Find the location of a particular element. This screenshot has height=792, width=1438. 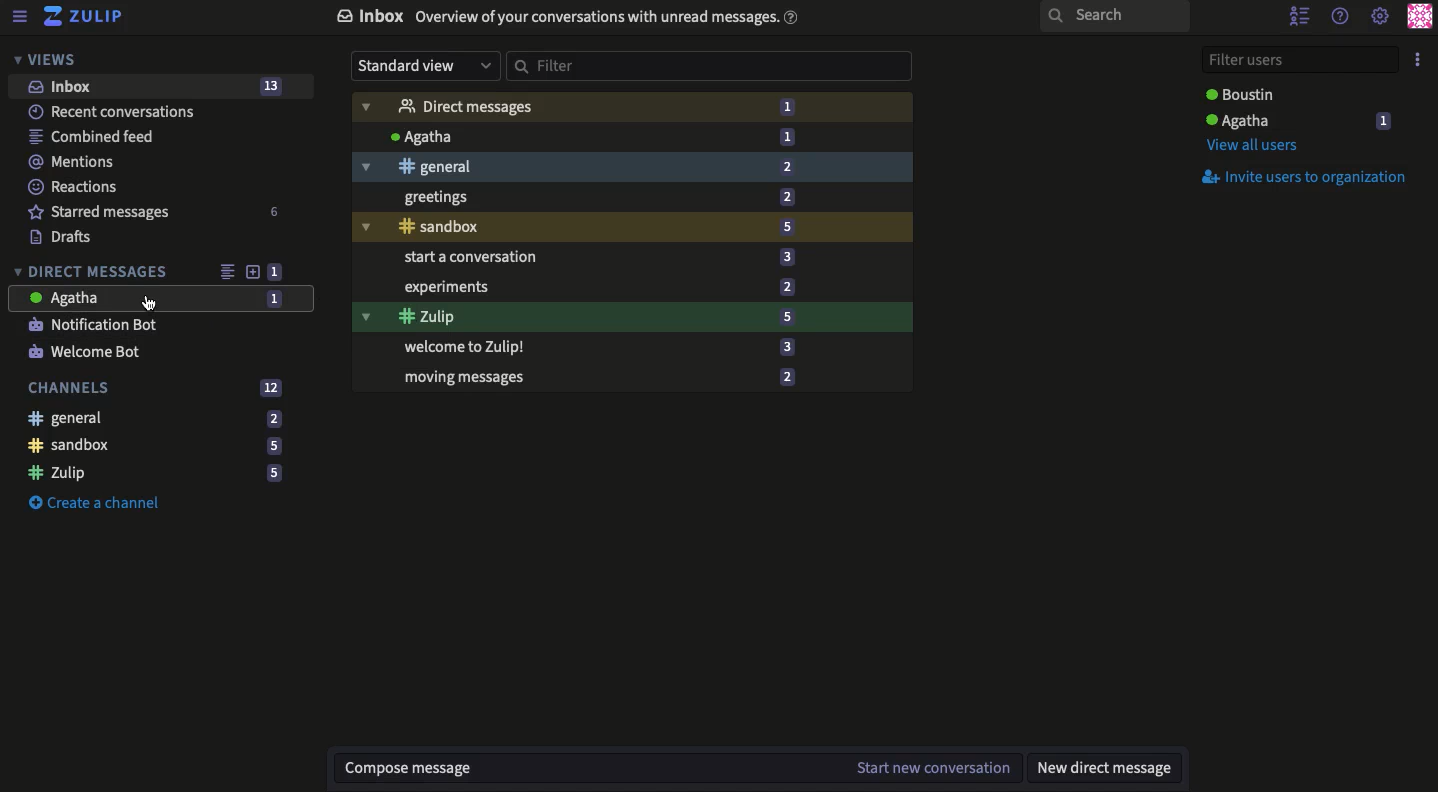

Hide user list is located at coordinates (1299, 17).